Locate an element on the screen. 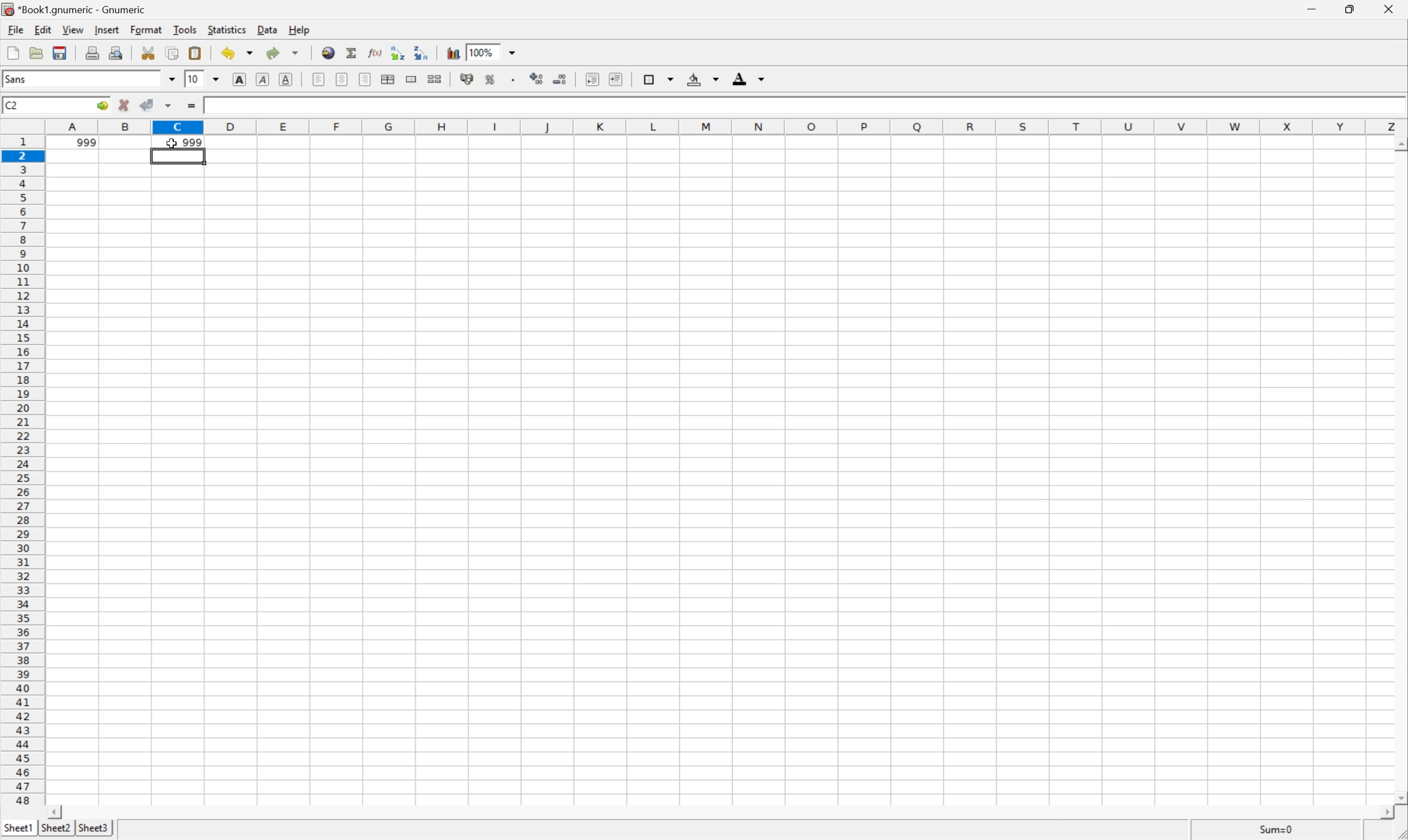 This screenshot has width=1408, height=840. format selection as percentage is located at coordinates (491, 80).